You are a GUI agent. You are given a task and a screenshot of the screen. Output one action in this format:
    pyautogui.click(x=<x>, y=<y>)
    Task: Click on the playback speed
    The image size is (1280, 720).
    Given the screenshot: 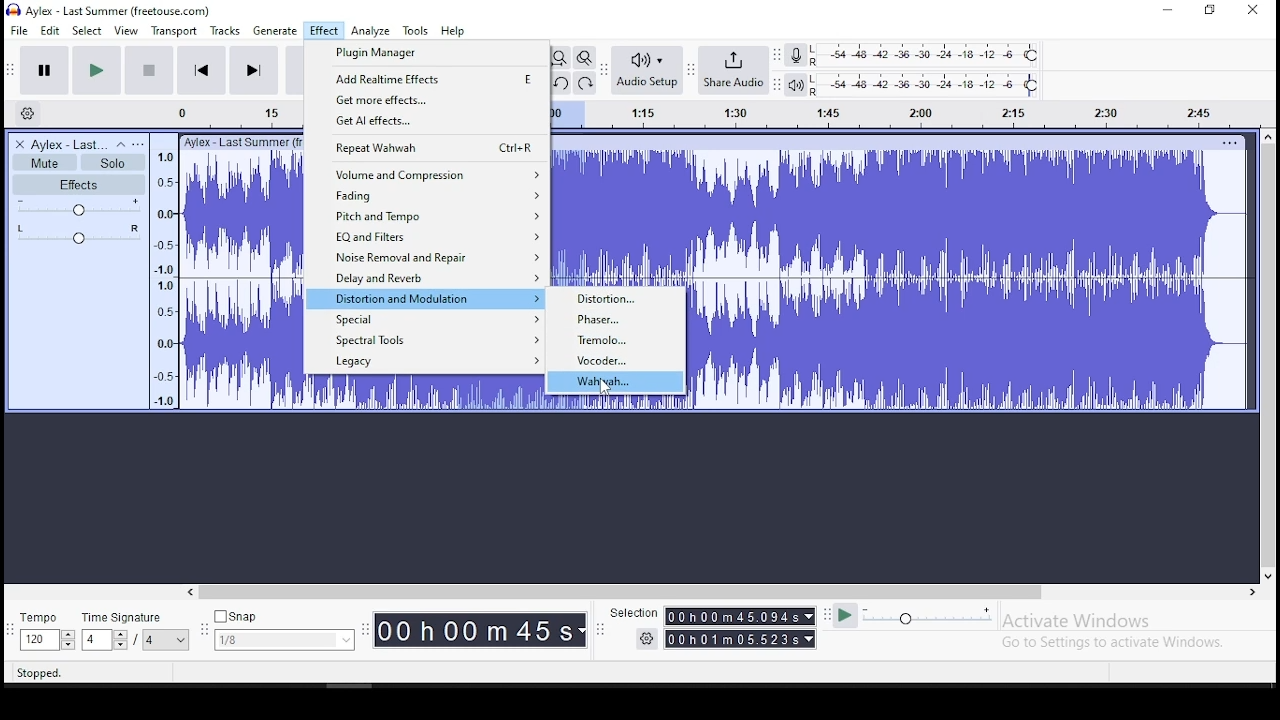 What is the action you would take?
    pyautogui.click(x=928, y=617)
    